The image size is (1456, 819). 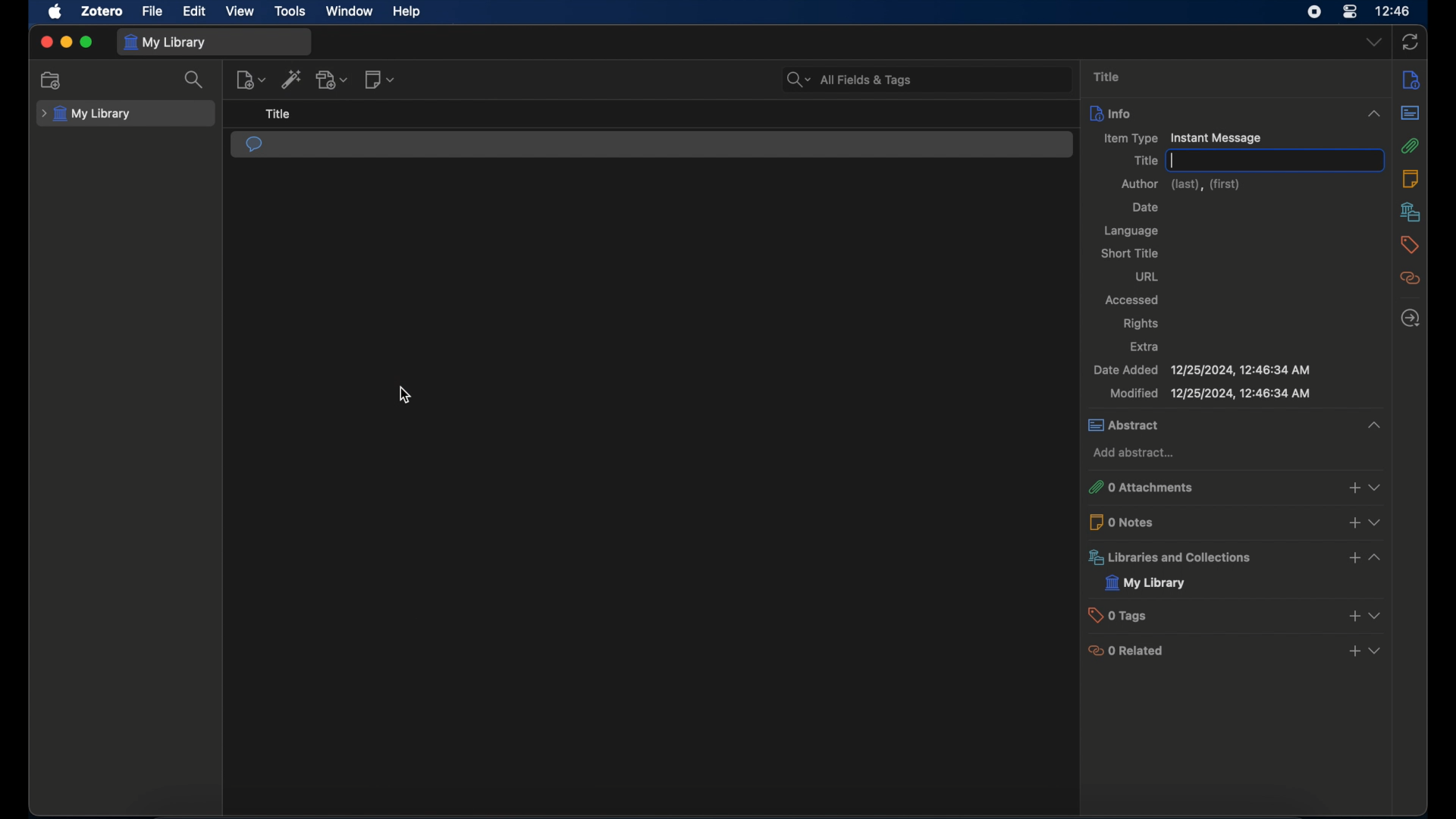 I want to click on 0 notes, so click(x=1234, y=521).